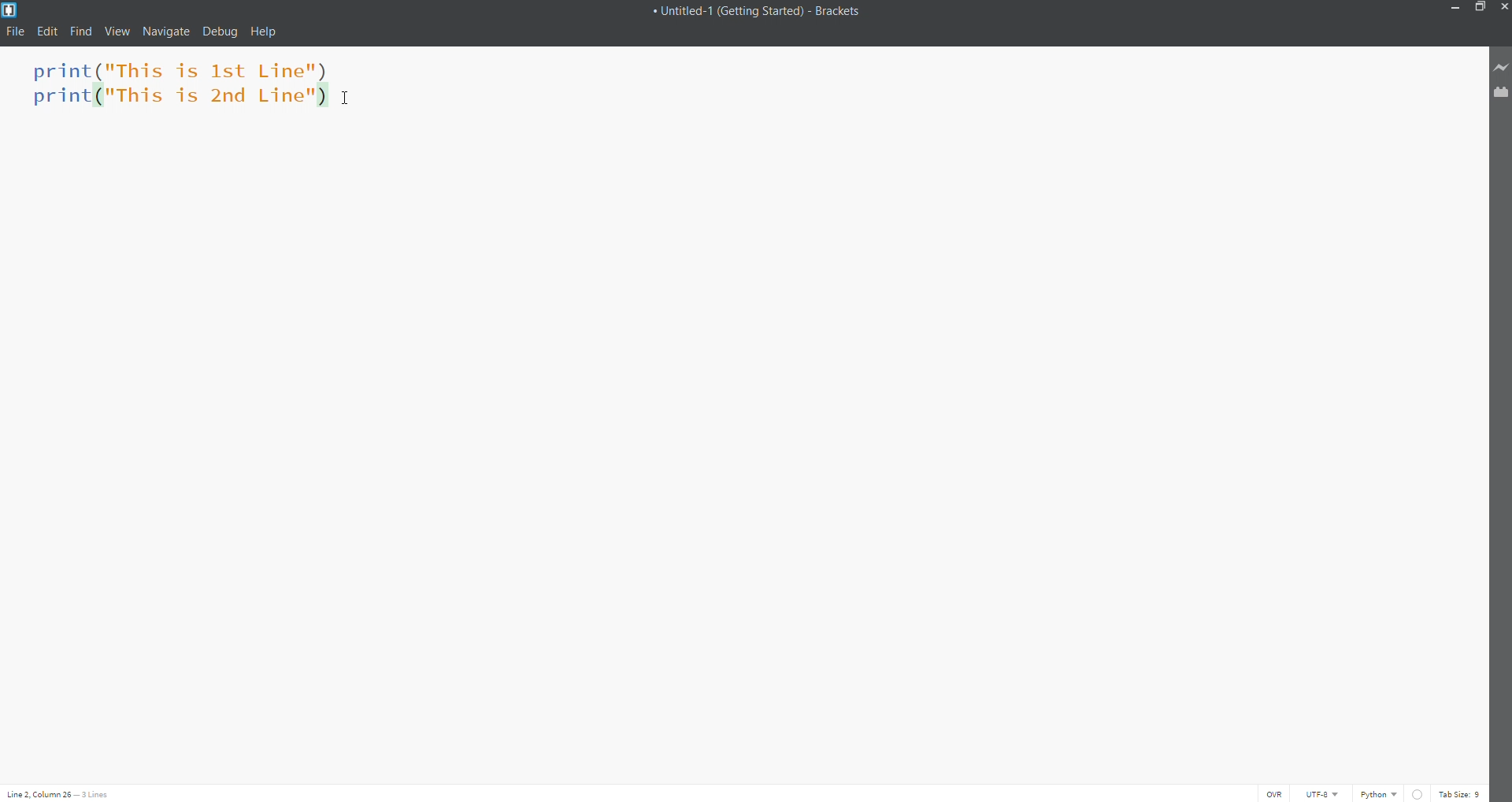 The width and height of the screenshot is (1512, 802). Describe the element at coordinates (12, 9) in the screenshot. I see `Logo` at that location.